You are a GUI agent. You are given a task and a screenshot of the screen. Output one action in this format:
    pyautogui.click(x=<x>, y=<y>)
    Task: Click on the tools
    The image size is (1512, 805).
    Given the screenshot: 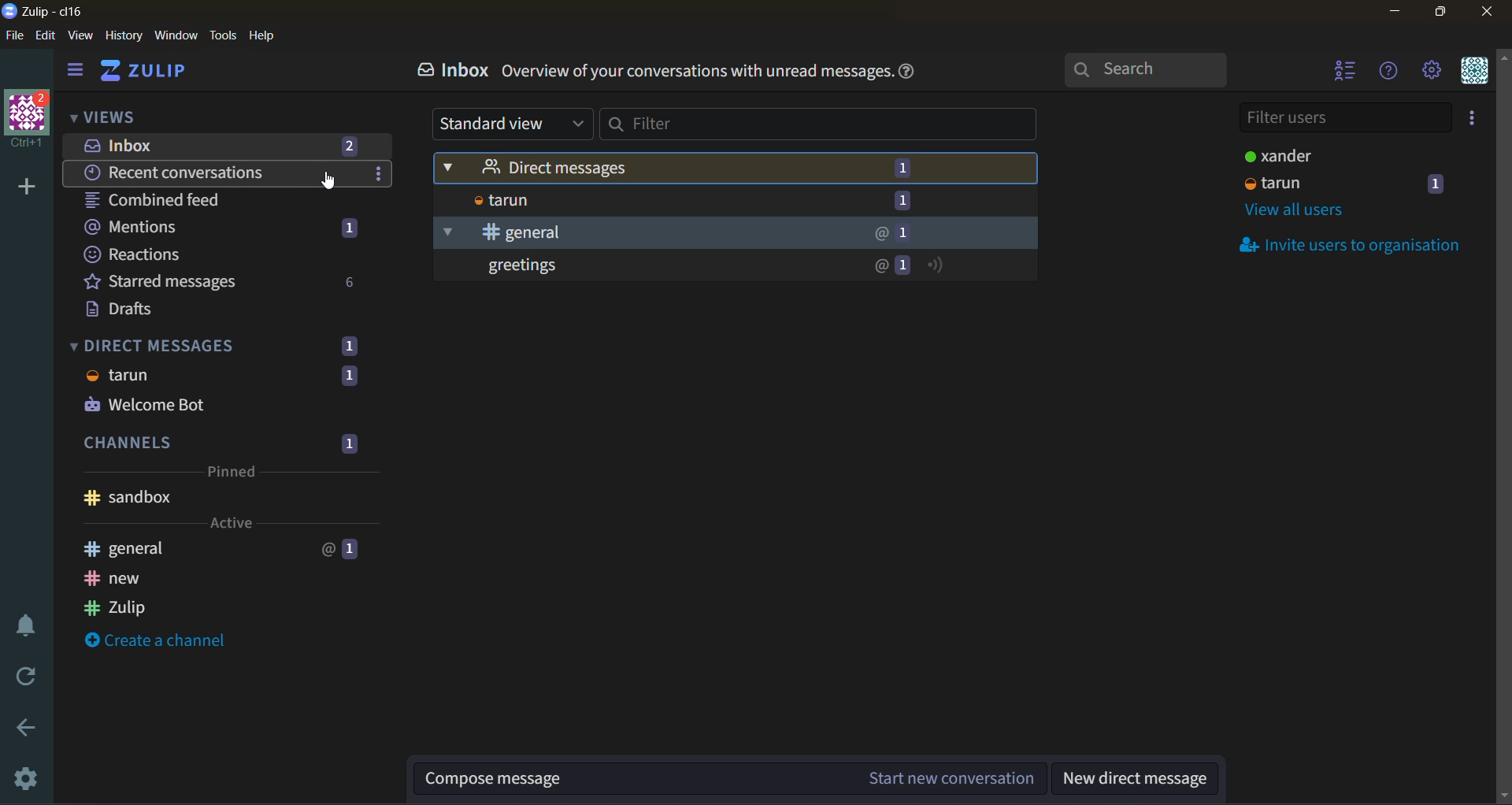 What is the action you would take?
    pyautogui.click(x=224, y=35)
    